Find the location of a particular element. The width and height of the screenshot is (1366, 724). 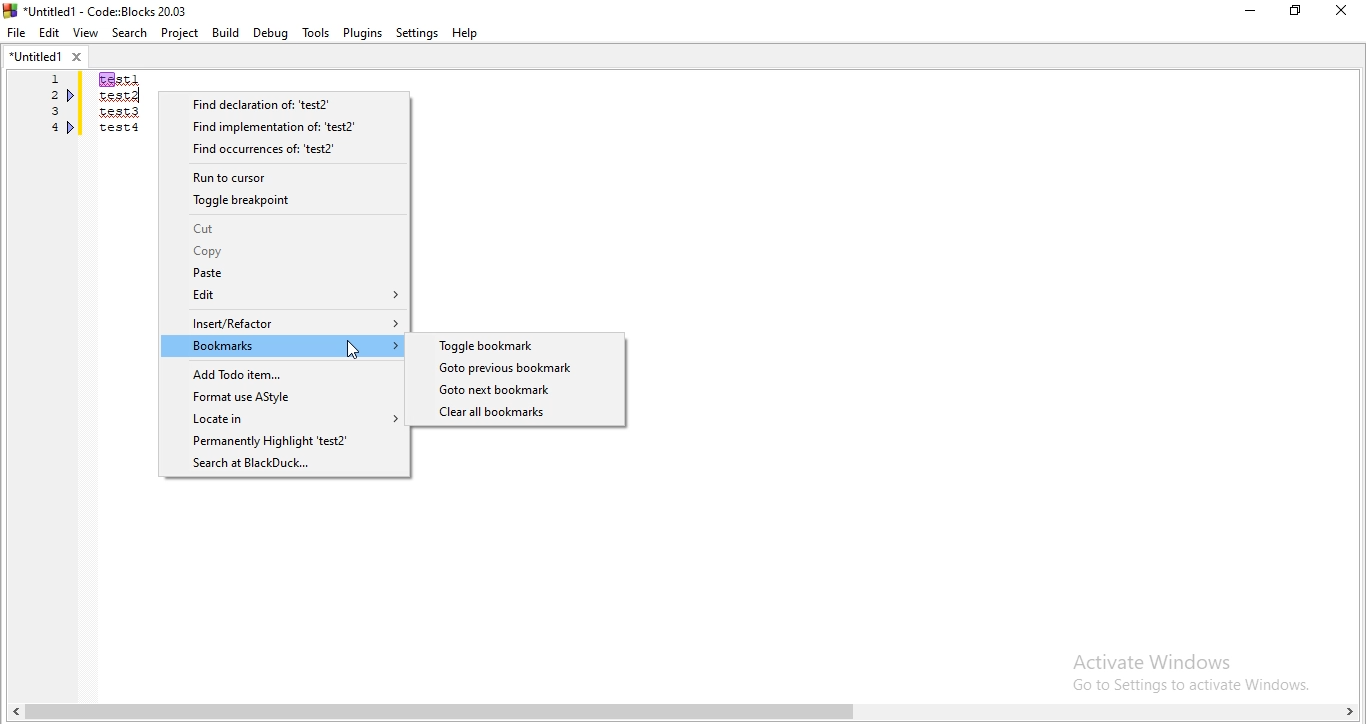

Clear all bookmarks is located at coordinates (517, 414).